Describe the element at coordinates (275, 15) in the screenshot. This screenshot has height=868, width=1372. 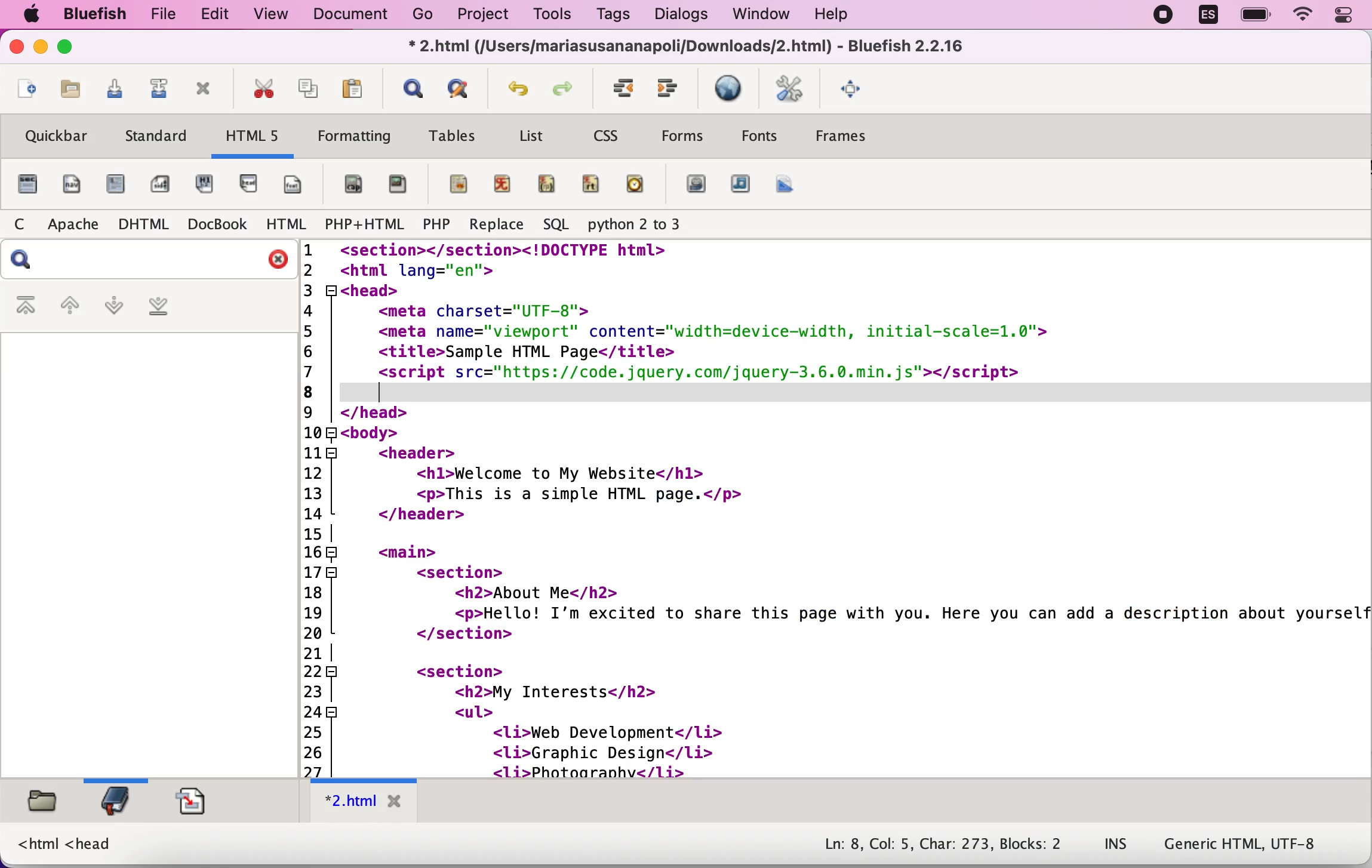
I see `view` at that location.